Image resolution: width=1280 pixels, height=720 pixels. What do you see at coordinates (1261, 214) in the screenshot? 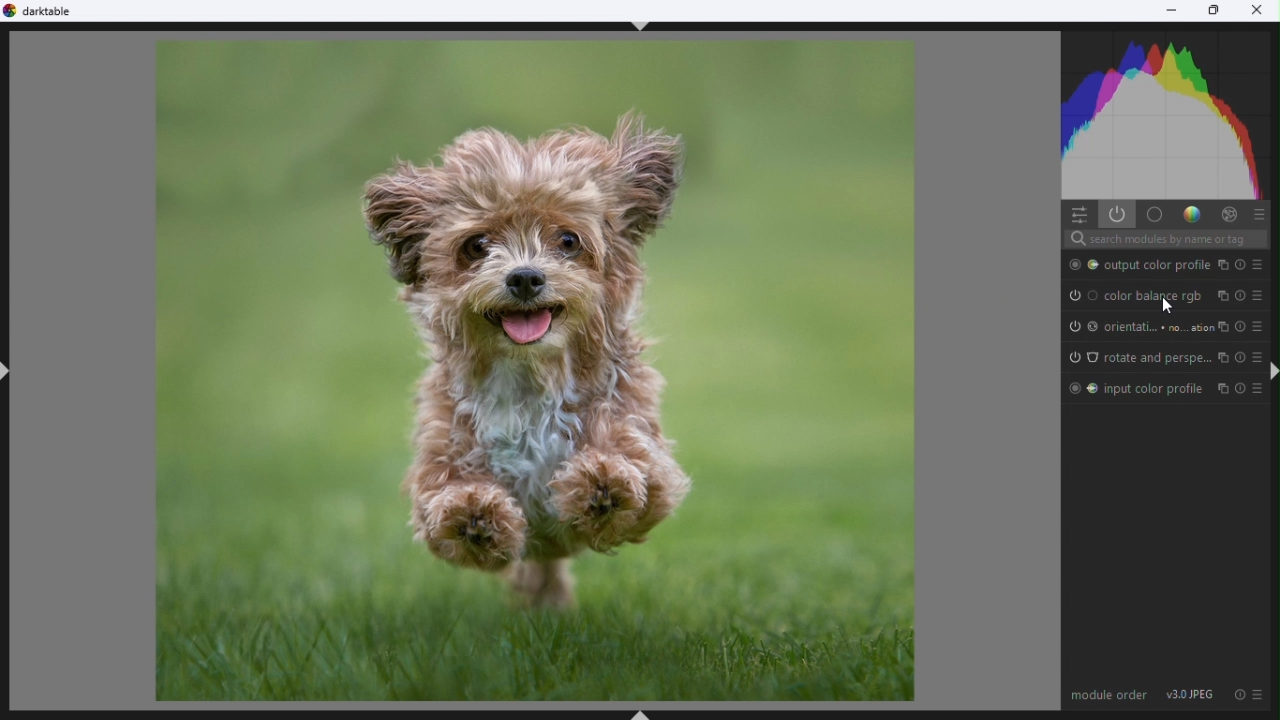
I see `presets` at bounding box center [1261, 214].